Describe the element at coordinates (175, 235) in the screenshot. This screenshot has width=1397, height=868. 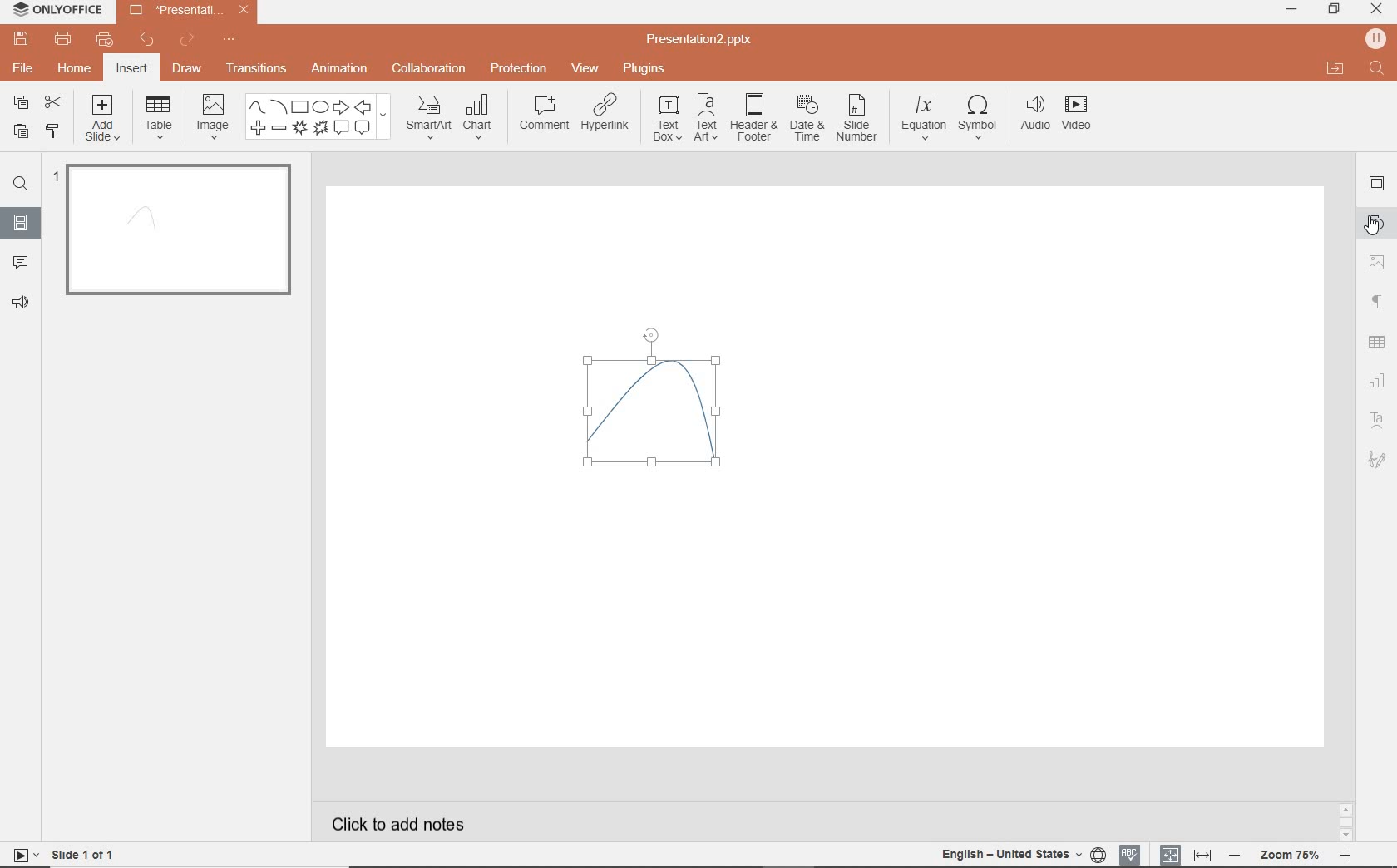
I see `SLIDE1` at that location.